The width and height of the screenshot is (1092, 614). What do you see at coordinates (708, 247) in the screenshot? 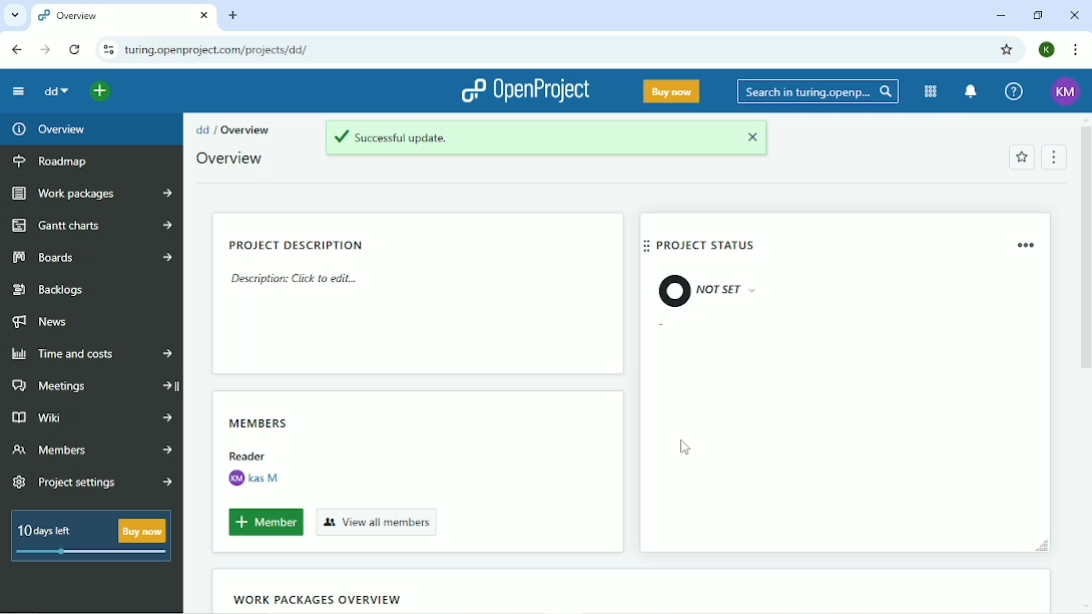
I see `Project status` at bounding box center [708, 247].